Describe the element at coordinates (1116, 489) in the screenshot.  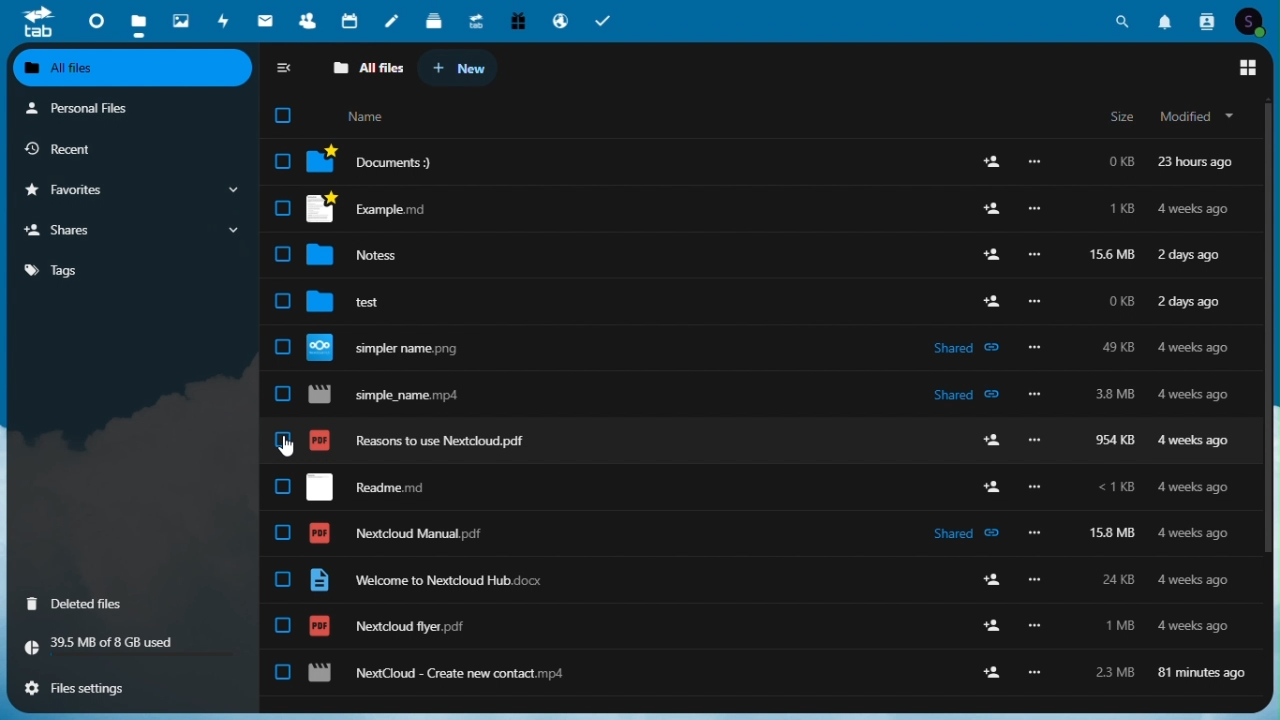
I see `<1 kb` at that location.